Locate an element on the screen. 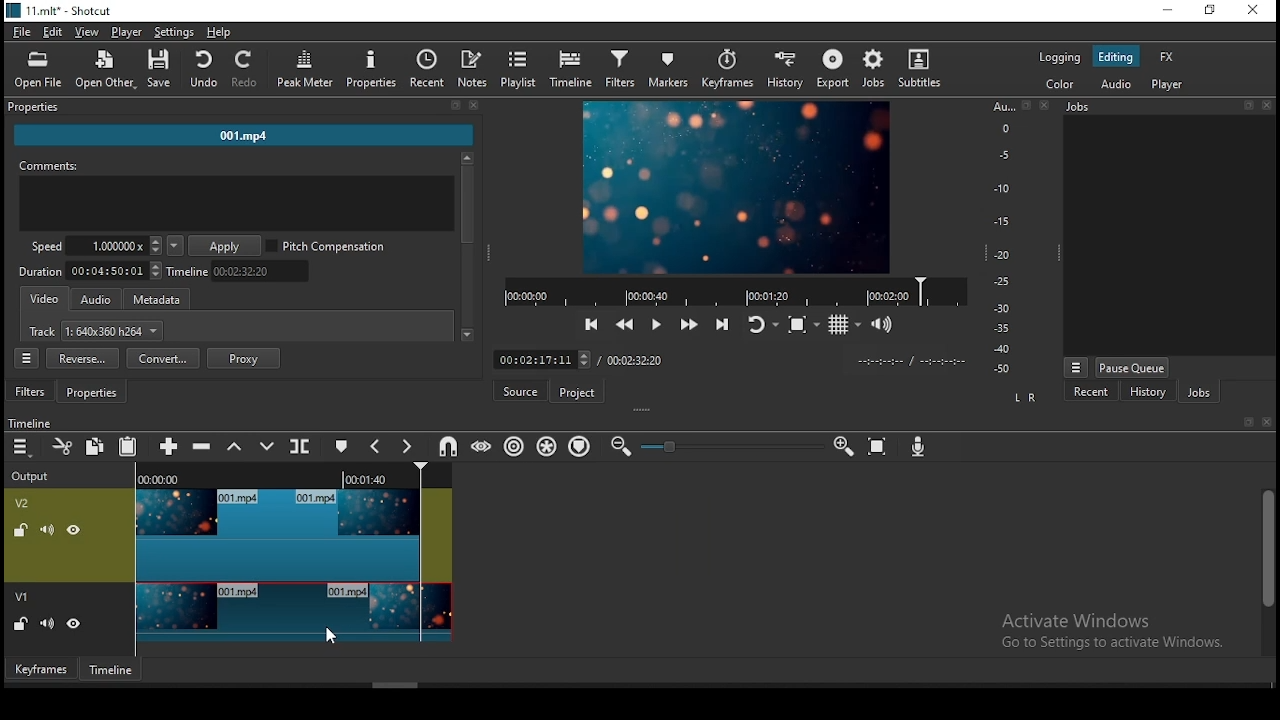  (UN)LOCK is located at coordinates (17, 528).